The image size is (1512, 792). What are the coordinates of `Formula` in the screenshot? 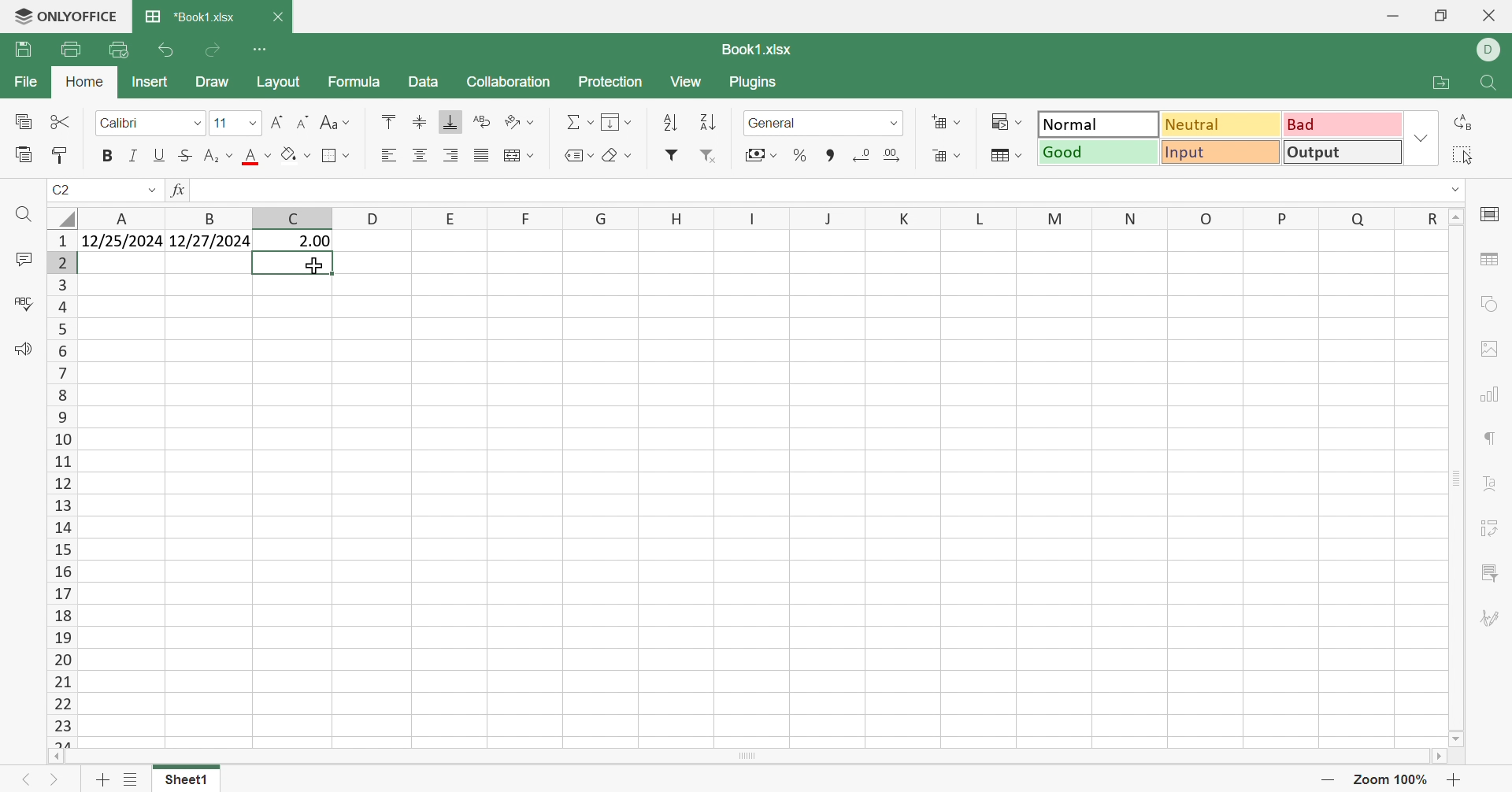 It's located at (356, 84).